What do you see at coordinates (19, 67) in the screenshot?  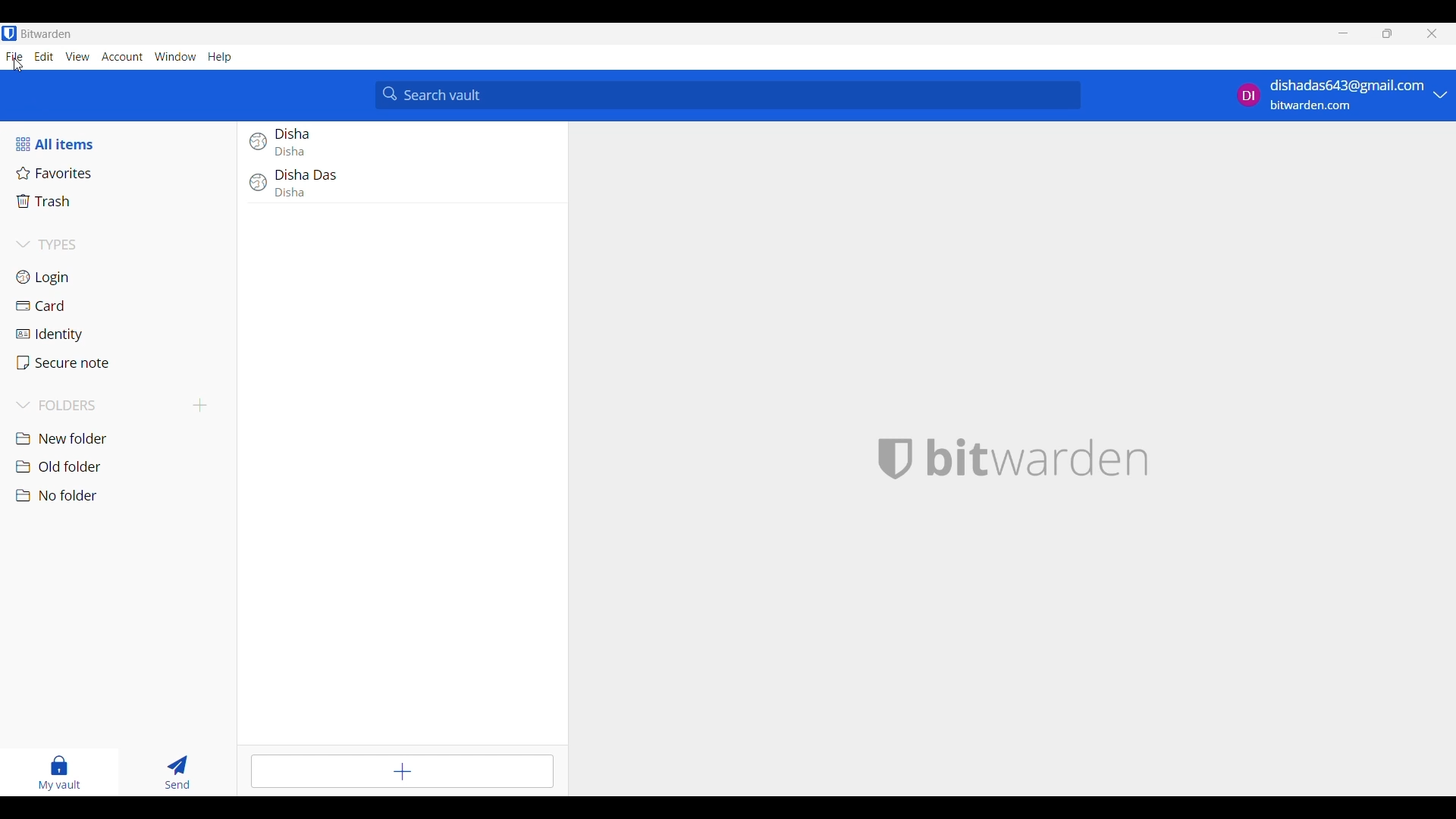 I see `cursor` at bounding box center [19, 67].